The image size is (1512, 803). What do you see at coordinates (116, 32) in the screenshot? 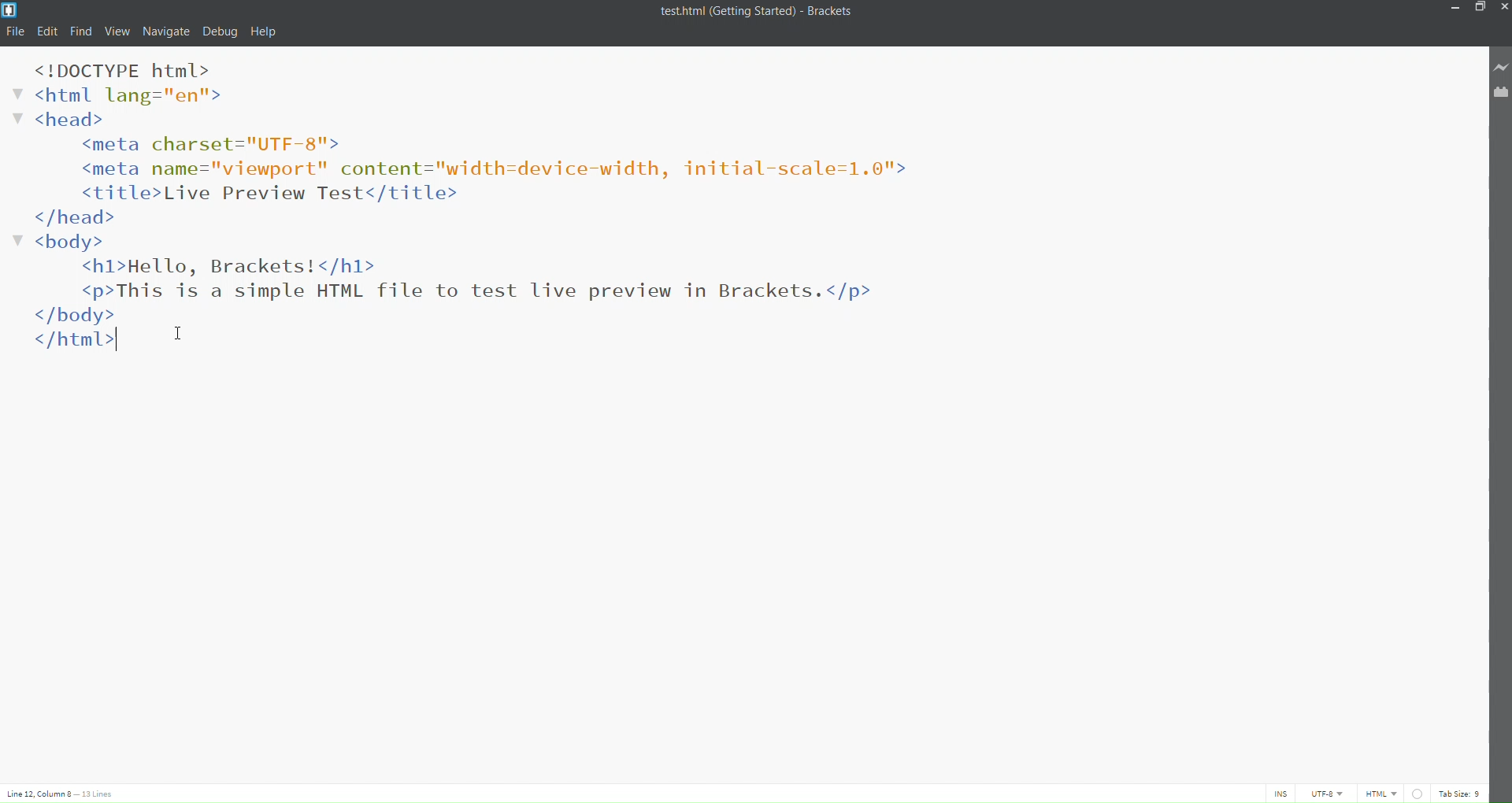
I see `View` at bounding box center [116, 32].